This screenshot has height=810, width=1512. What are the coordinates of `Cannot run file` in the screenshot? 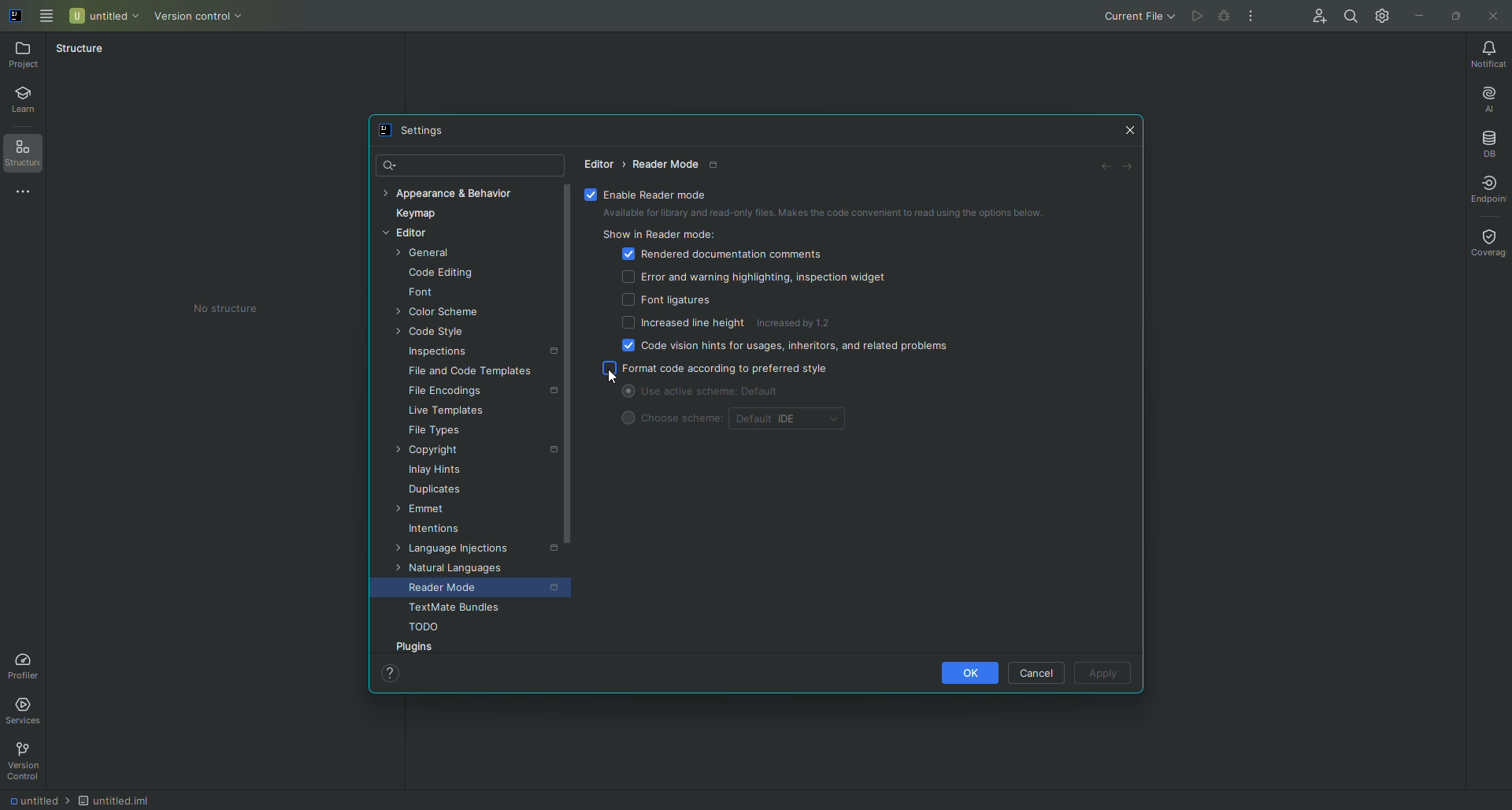 It's located at (1225, 15).